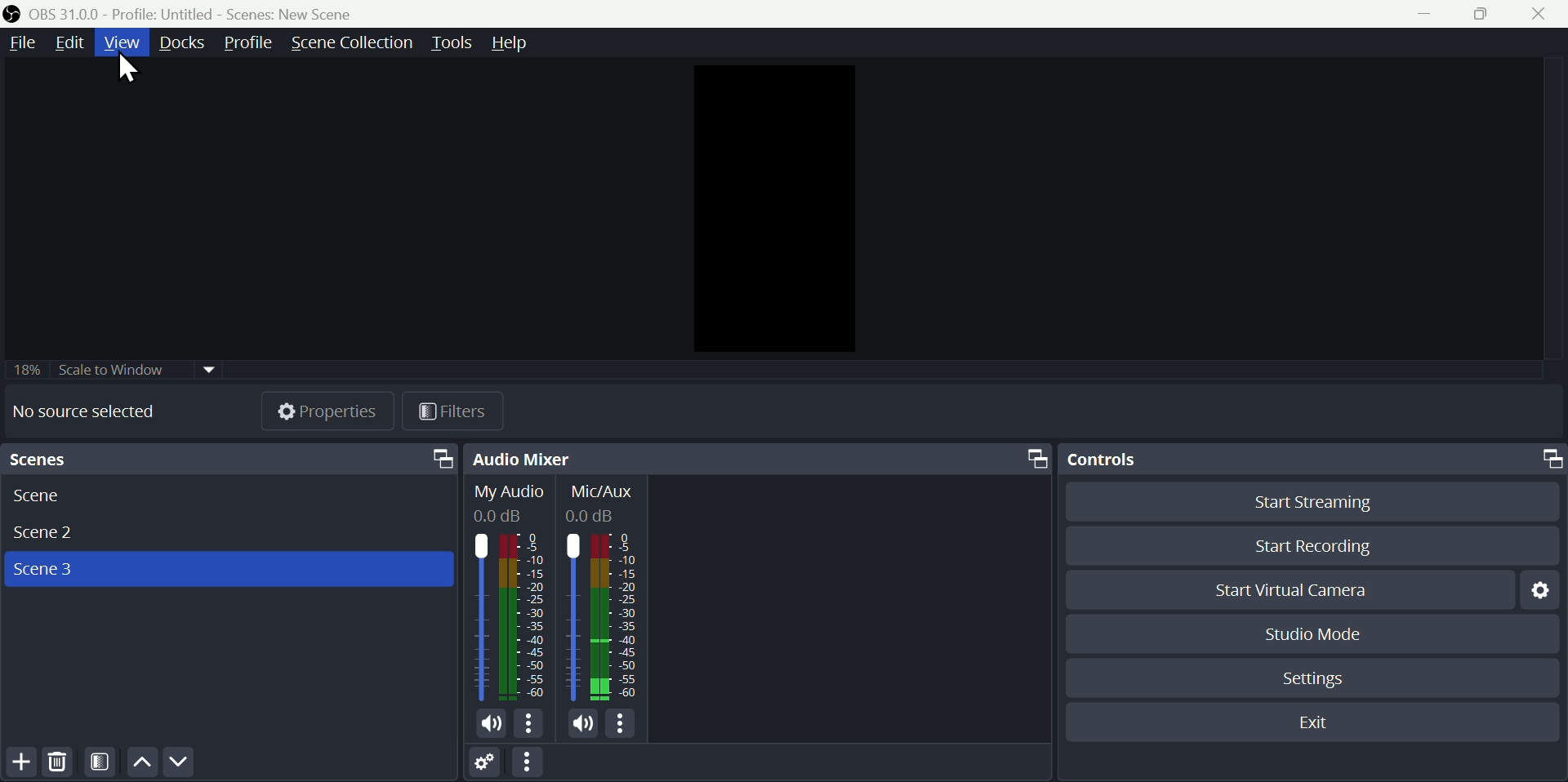  What do you see at coordinates (1317, 682) in the screenshot?
I see `Settings` at bounding box center [1317, 682].